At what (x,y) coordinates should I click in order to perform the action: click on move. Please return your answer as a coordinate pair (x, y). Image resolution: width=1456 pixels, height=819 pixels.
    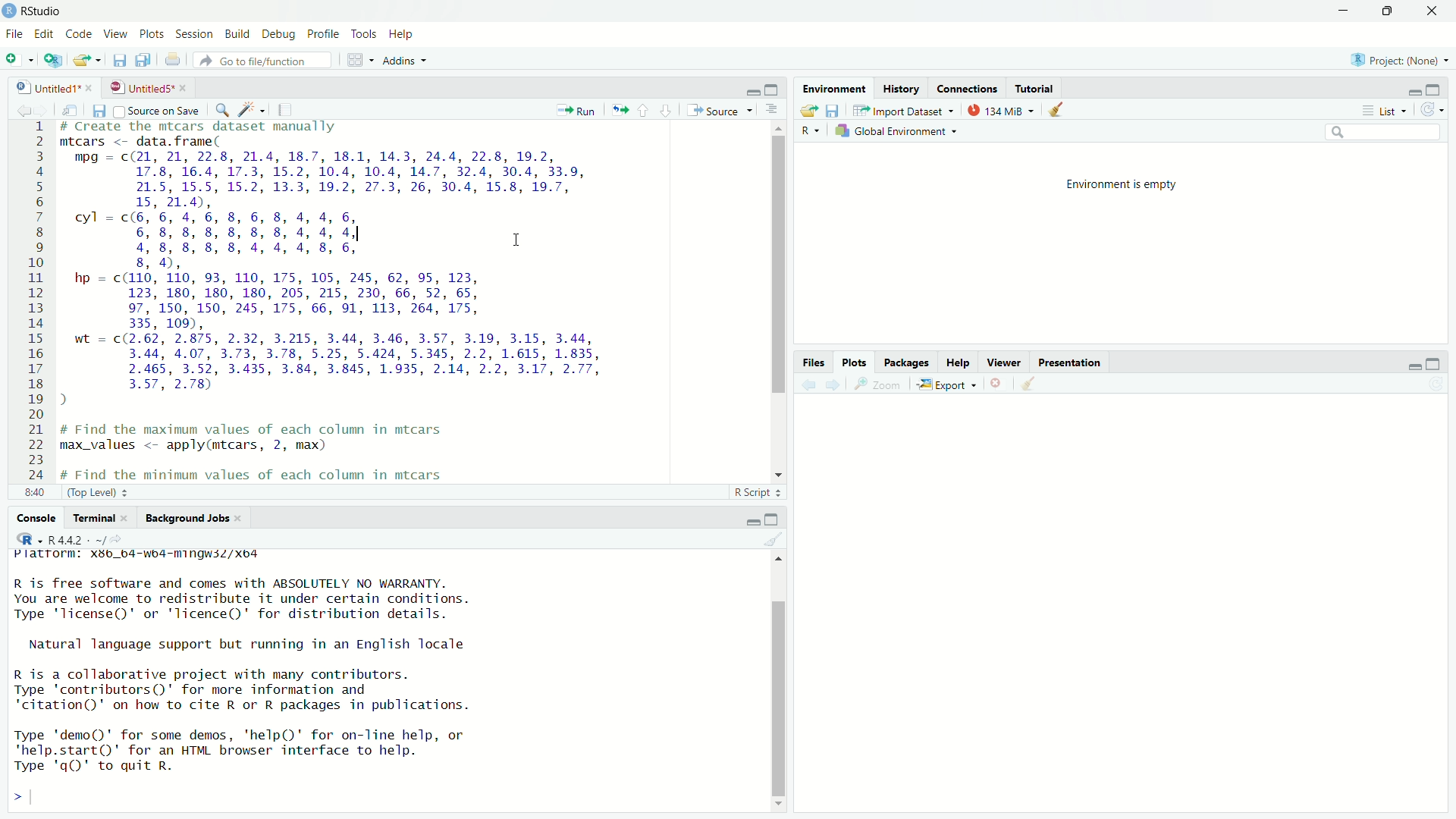
    Looking at the image, I should click on (619, 107).